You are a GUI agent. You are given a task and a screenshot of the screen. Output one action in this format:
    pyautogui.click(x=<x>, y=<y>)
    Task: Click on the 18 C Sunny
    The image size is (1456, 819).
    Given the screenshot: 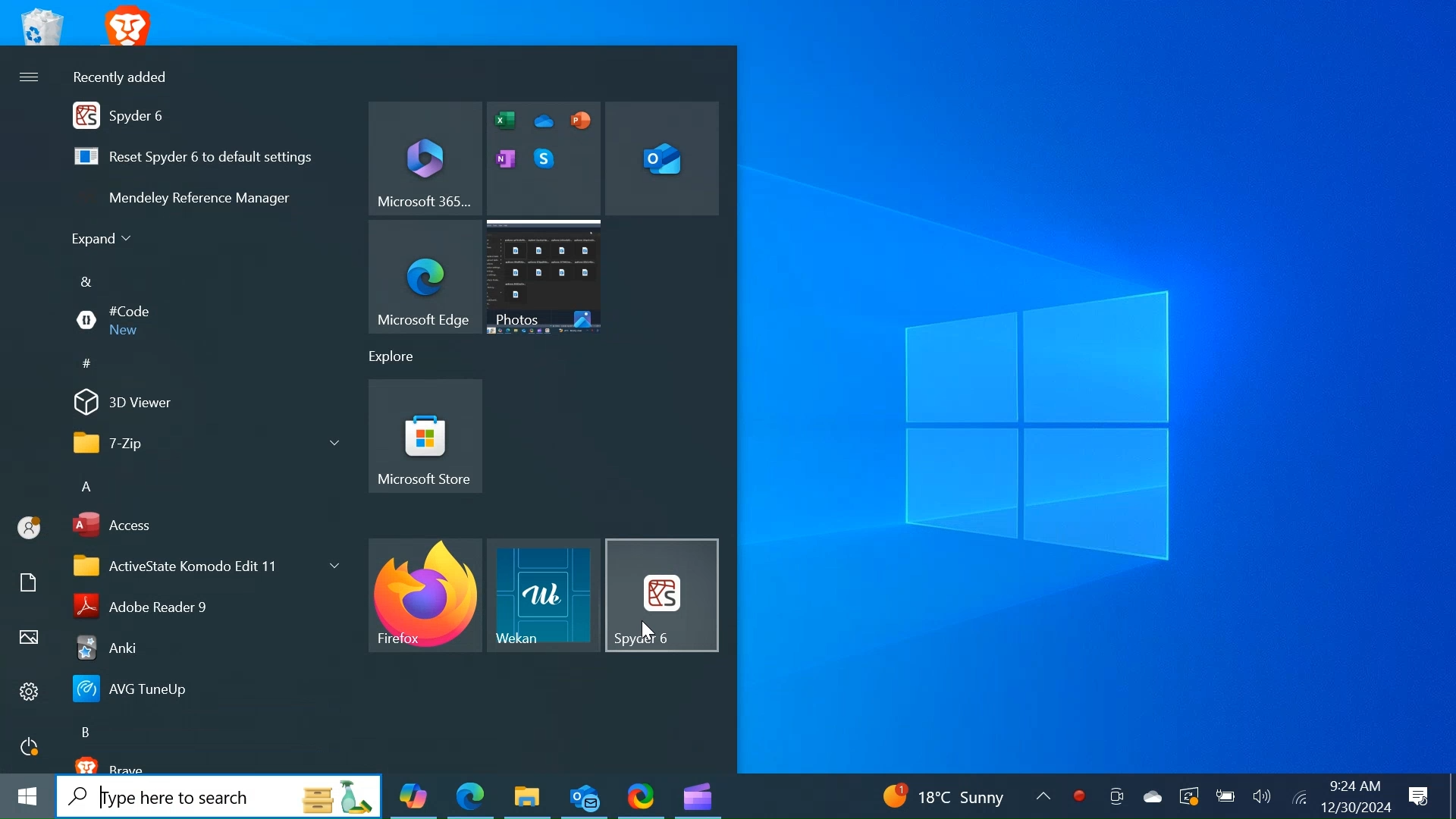 What is the action you would take?
    pyautogui.click(x=959, y=794)
    